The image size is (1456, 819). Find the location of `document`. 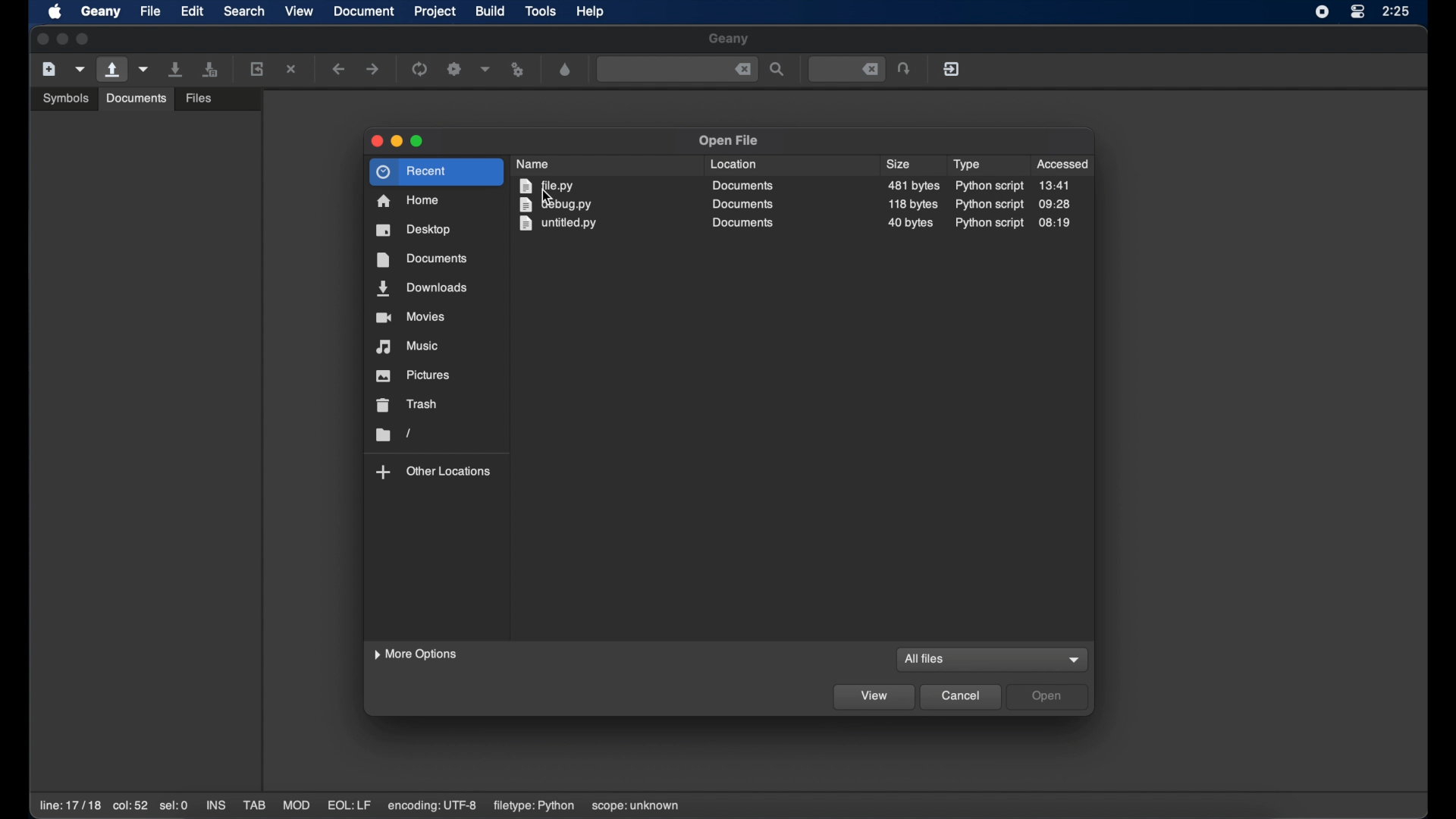

document is located at coordinates (362, 11).